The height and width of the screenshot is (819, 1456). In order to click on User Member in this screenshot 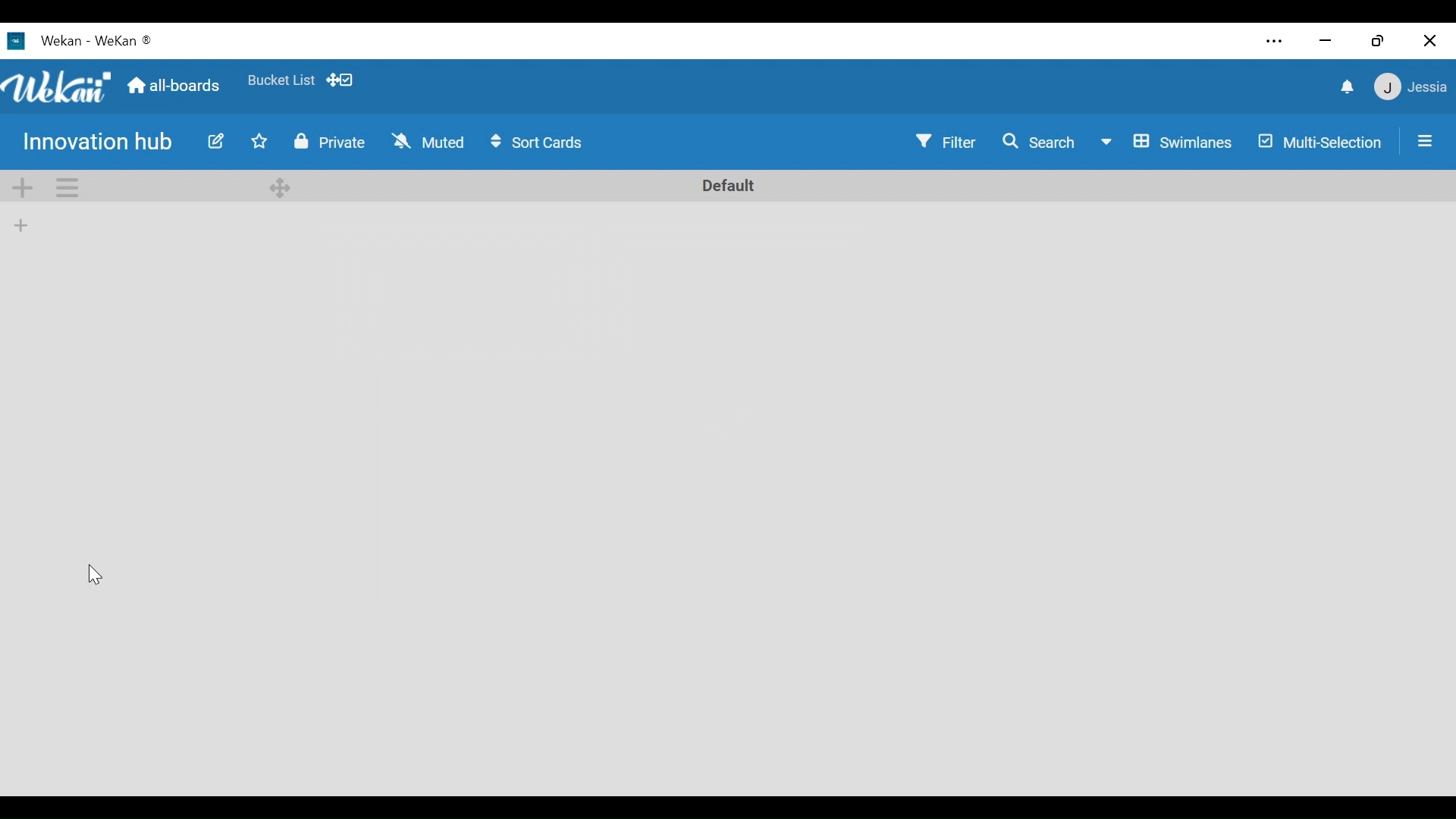, I will do `click(1409, 88)`.